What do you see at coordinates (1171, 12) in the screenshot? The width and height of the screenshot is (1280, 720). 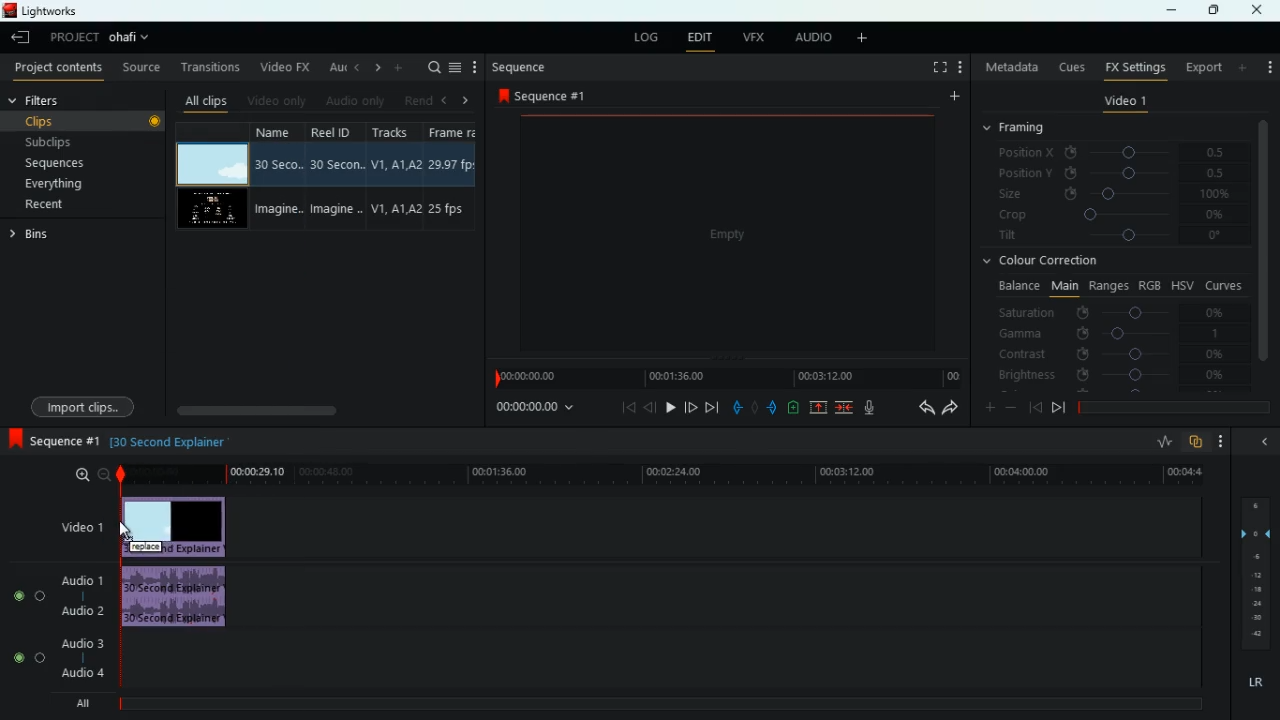 I see `minimize` at bounding box center [1171, 12].